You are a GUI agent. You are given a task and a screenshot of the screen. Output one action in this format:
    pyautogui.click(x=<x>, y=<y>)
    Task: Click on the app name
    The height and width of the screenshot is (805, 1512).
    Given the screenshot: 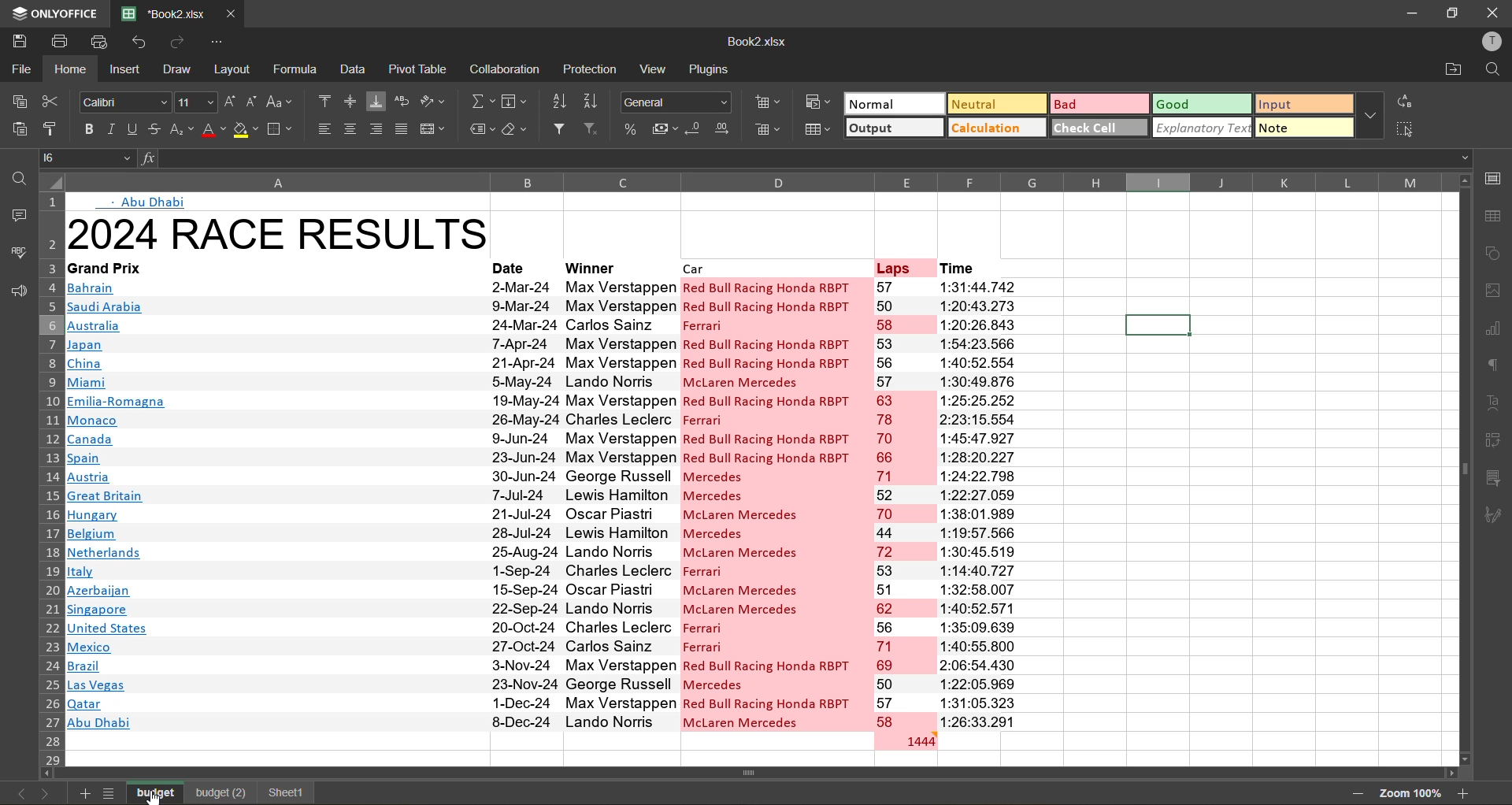 What is the action you would take?
    pyautogui.click(x=53, y=11)
    